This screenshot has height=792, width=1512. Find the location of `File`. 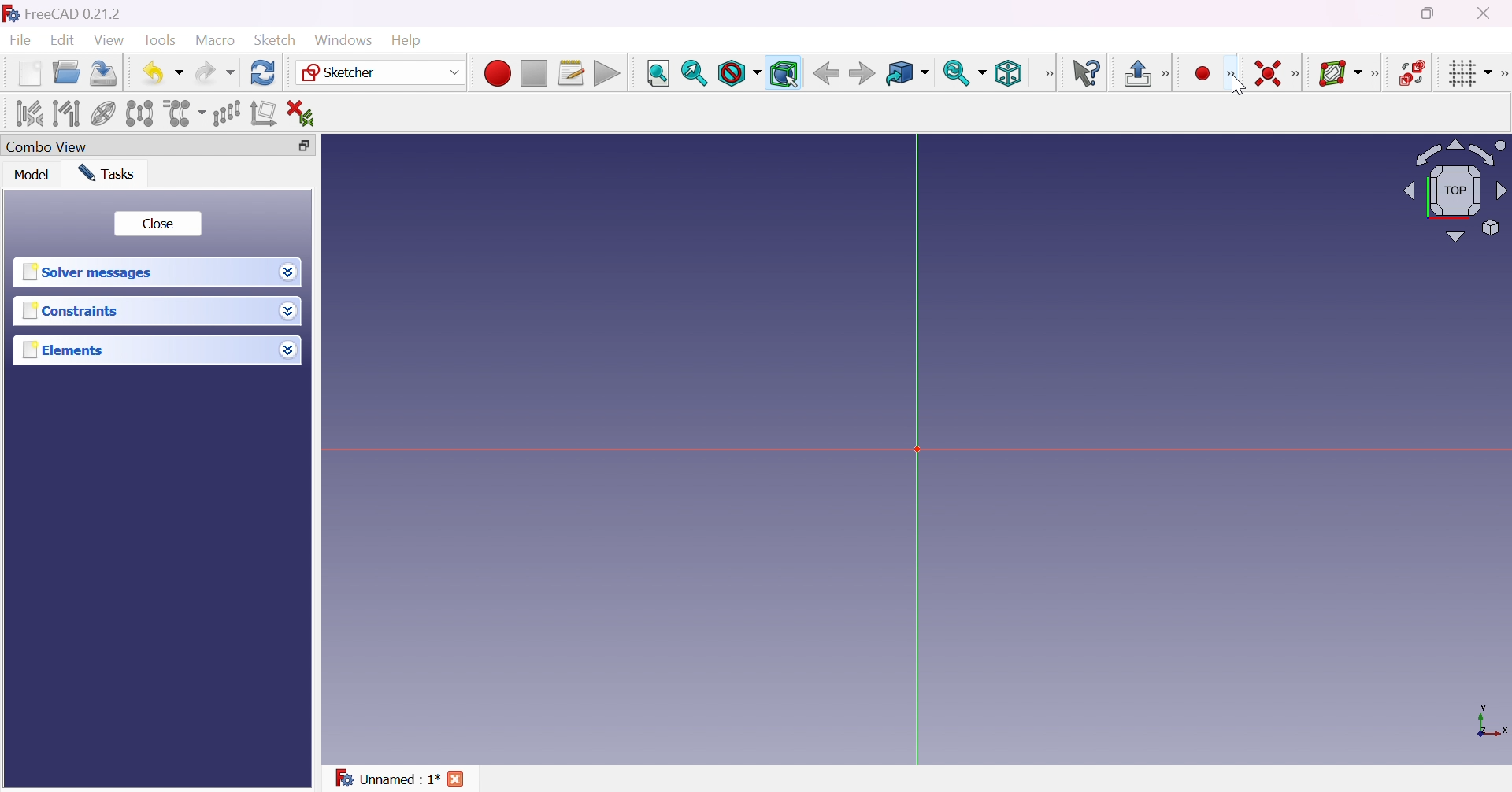

File is located at coordinates (20, 42).